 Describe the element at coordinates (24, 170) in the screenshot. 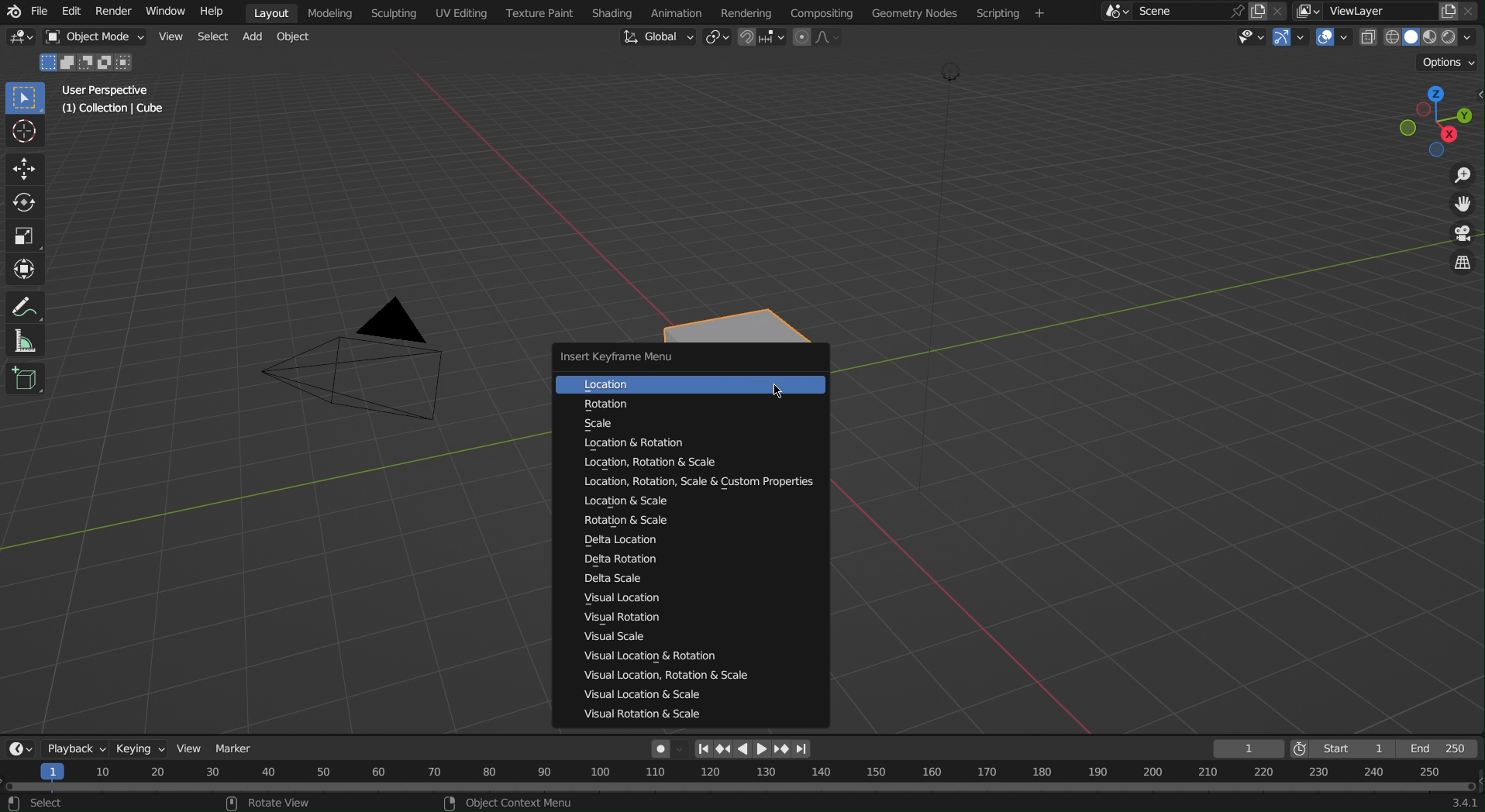

I see `Move` at that location.